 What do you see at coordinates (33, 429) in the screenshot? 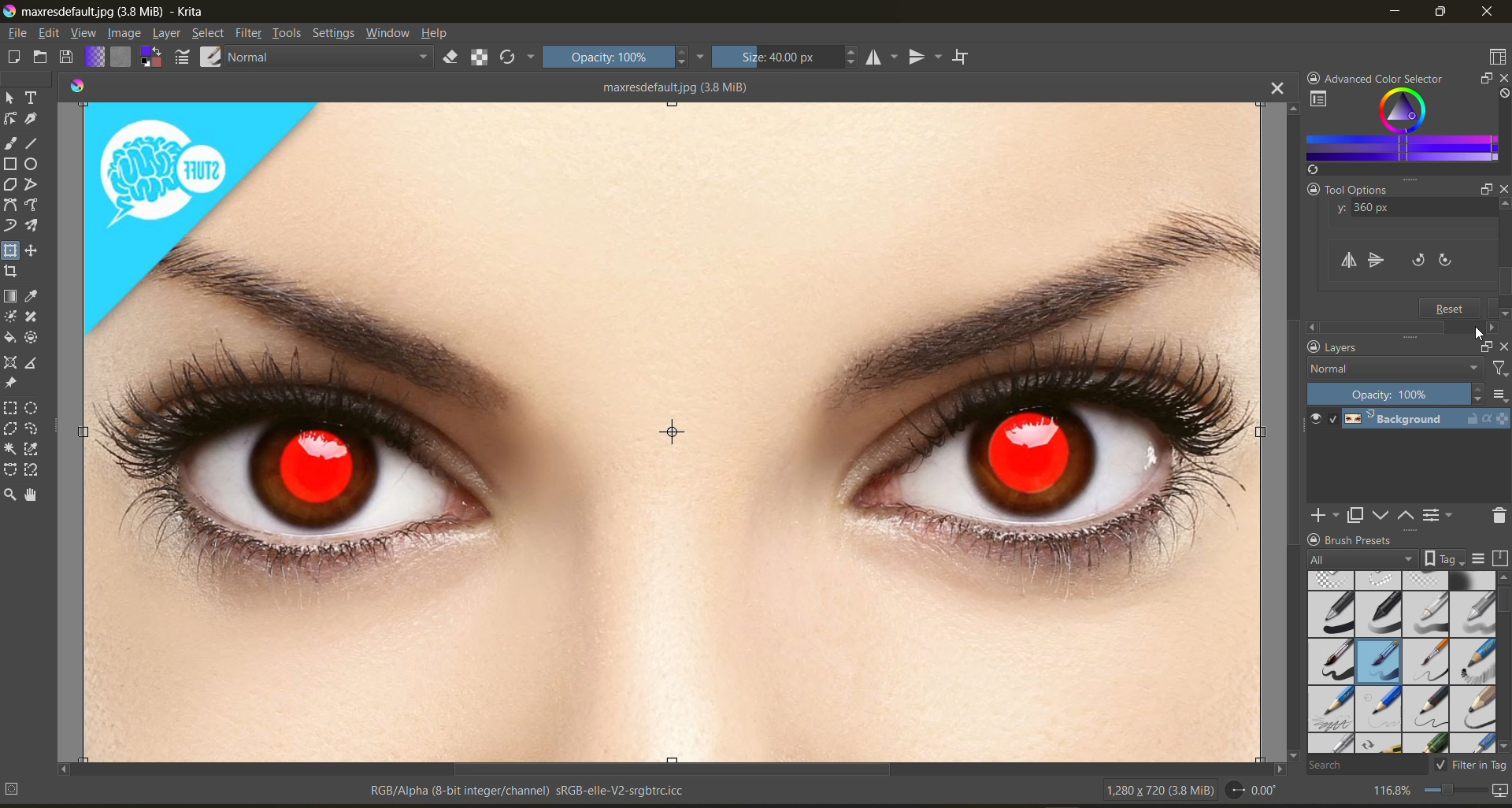
I see `tool` at bounding box center [33, 429].